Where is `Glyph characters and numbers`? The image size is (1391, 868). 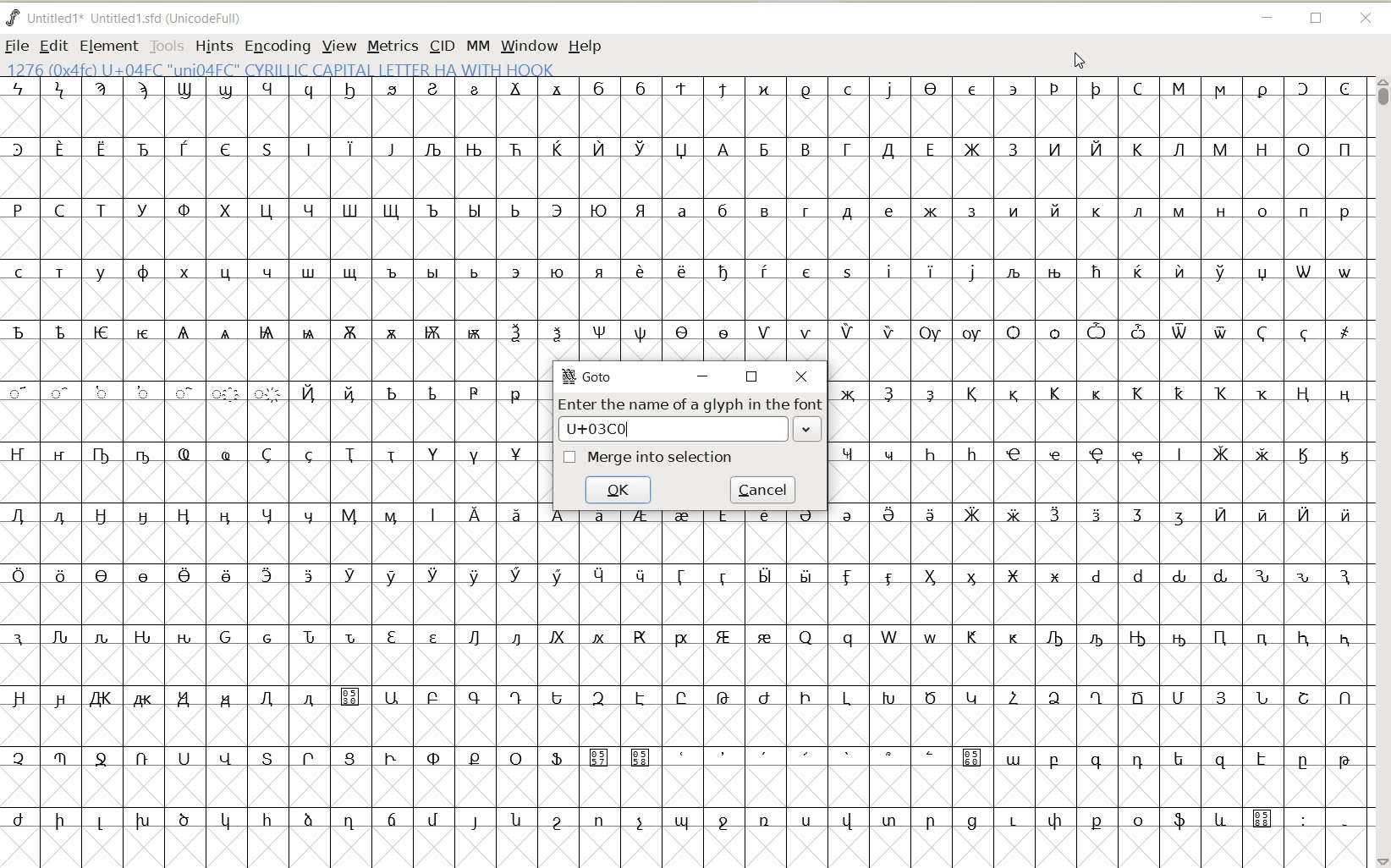 Glyph characters and numbers is located at coordinates (269, 474).